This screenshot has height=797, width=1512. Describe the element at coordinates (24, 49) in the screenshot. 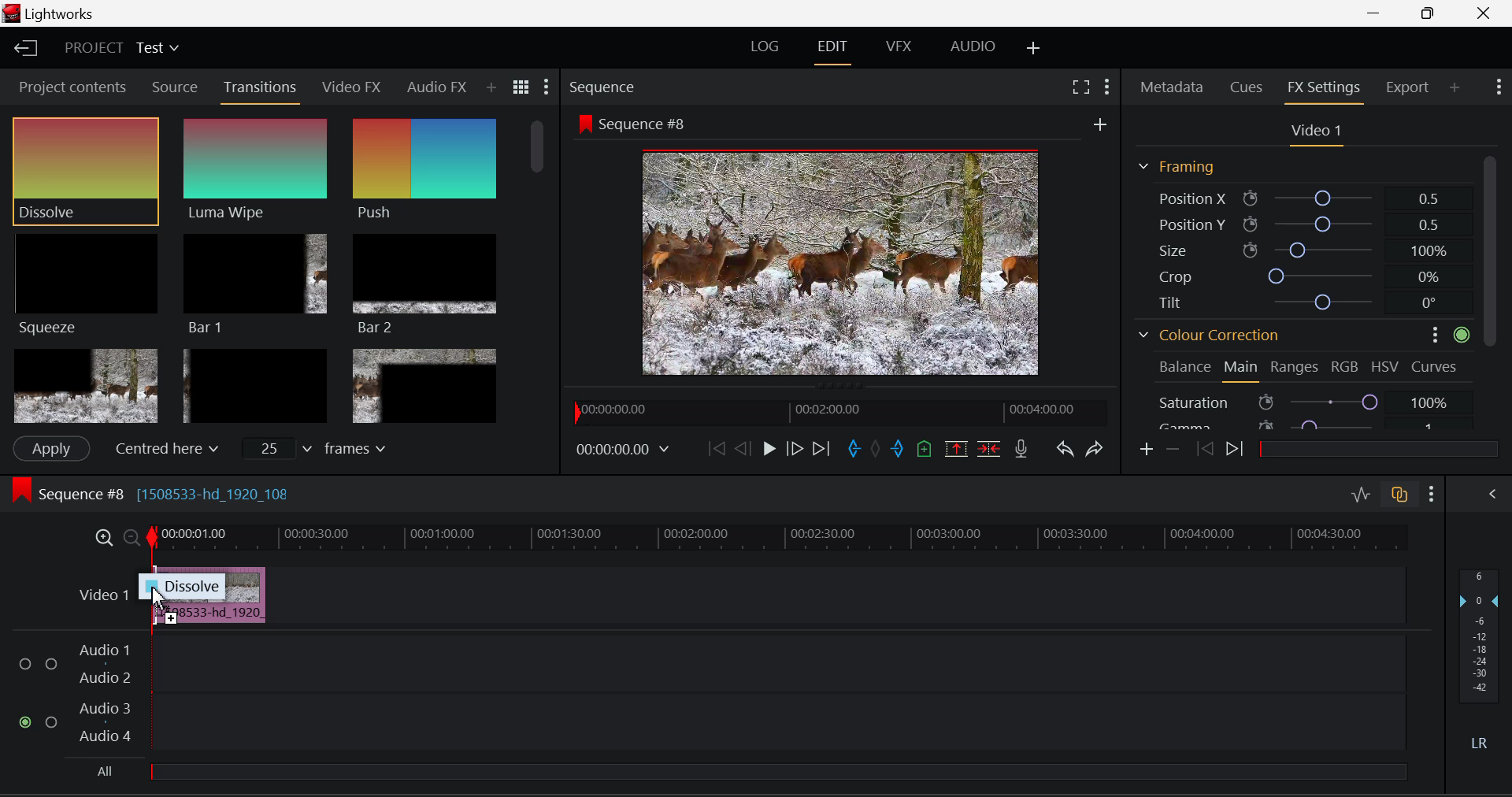

I see `Back to Homepage` at that location.